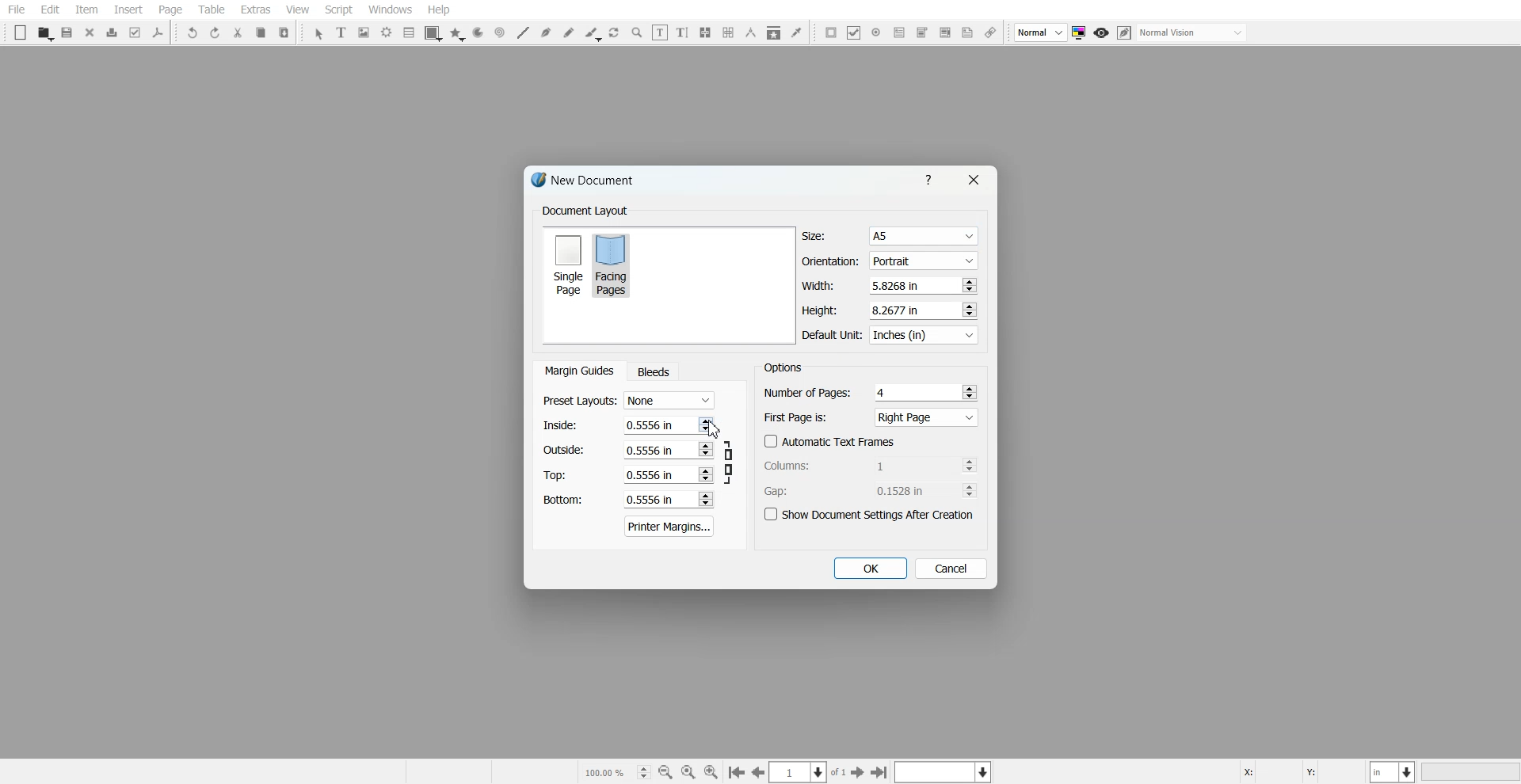 This screenshot has width=1521, height=784. What do you see at coordinates (899, 32) in the screenshot?
I see `PDF Text Field` at bounding box center [899, 32].